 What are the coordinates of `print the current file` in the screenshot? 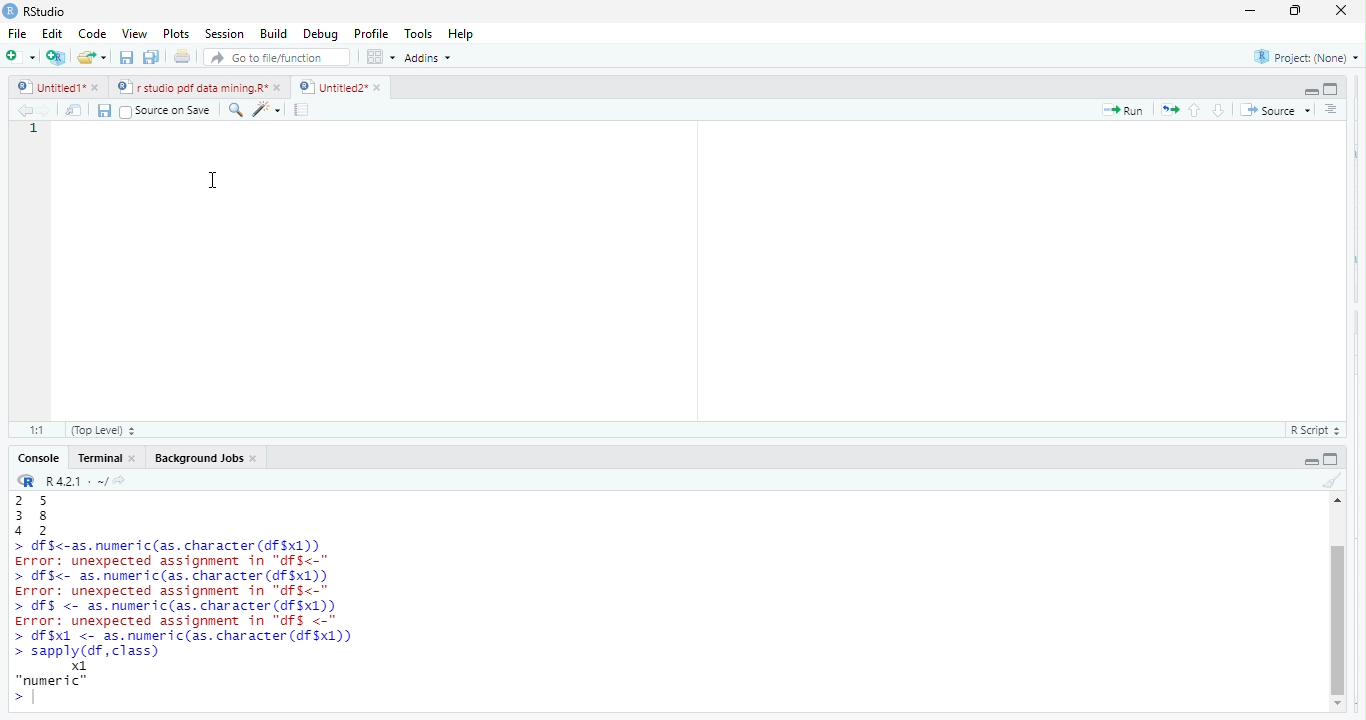 It's located at (180, 57).